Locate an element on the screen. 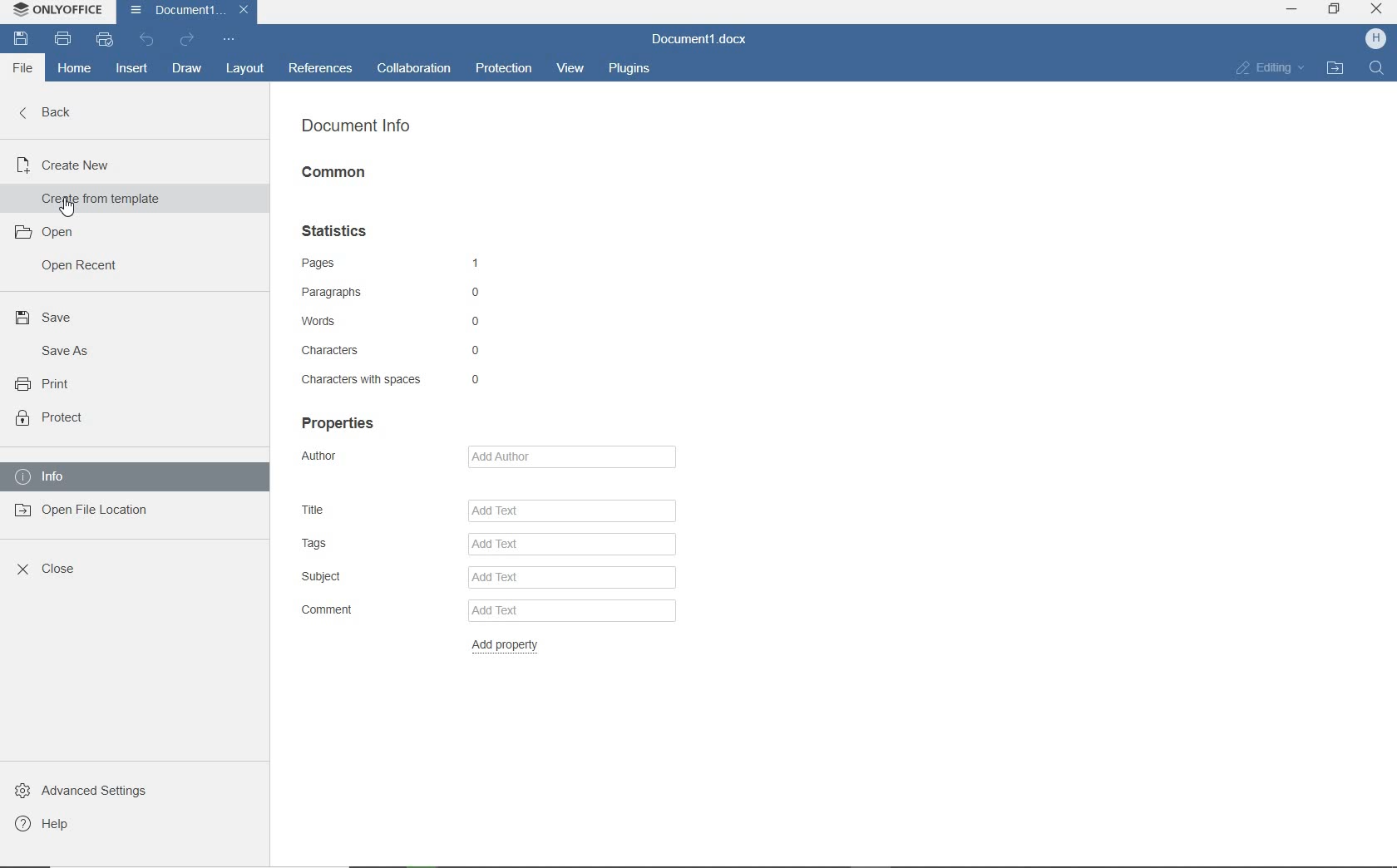  save is located at coordinates (50, 318).